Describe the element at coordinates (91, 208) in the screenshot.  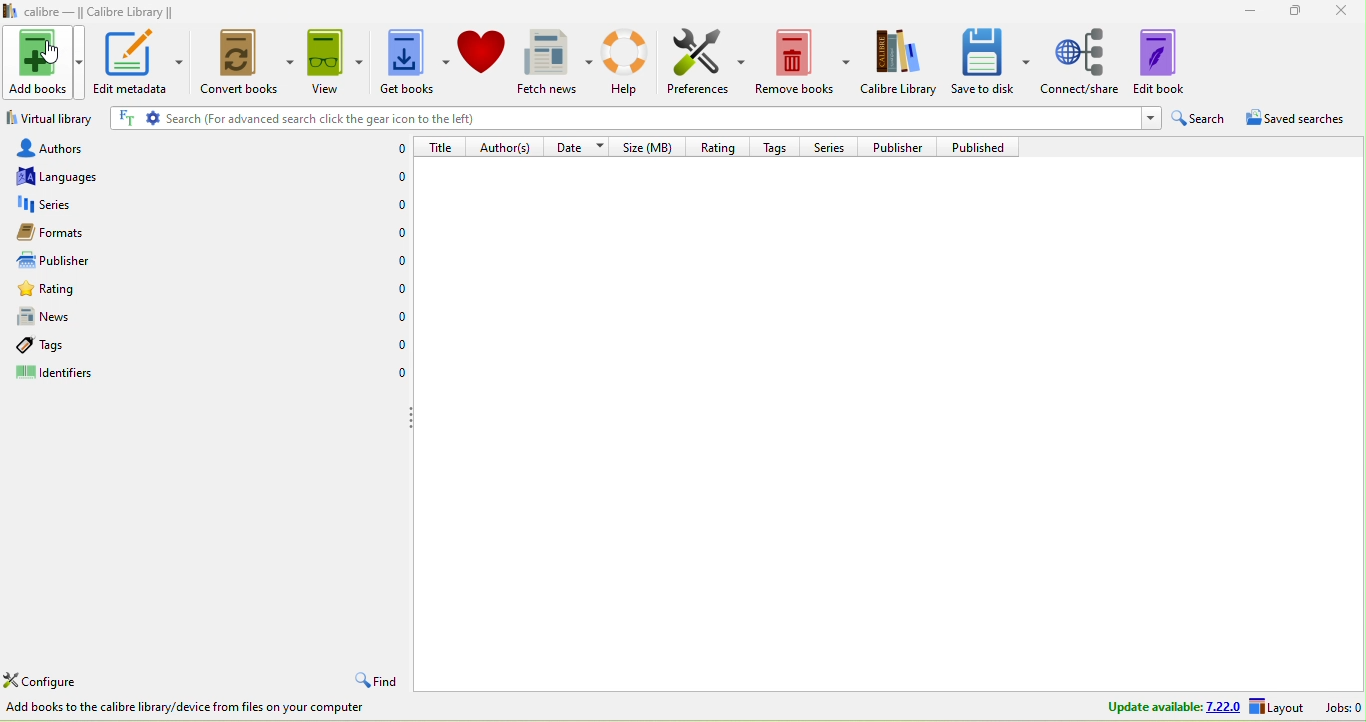
I see `series` at that location.